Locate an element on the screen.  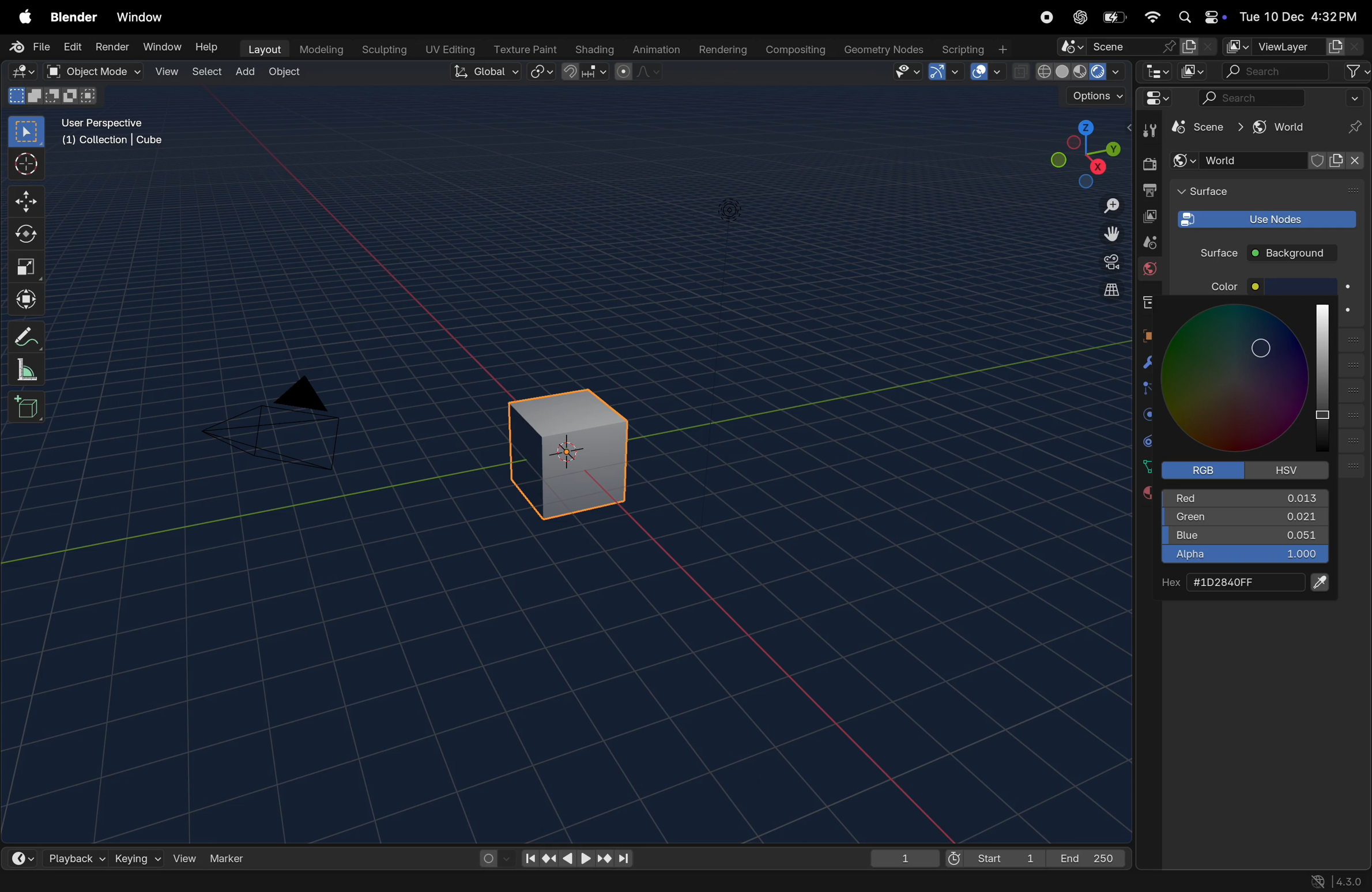
orthographic view is located at coordinates (1105, 290).